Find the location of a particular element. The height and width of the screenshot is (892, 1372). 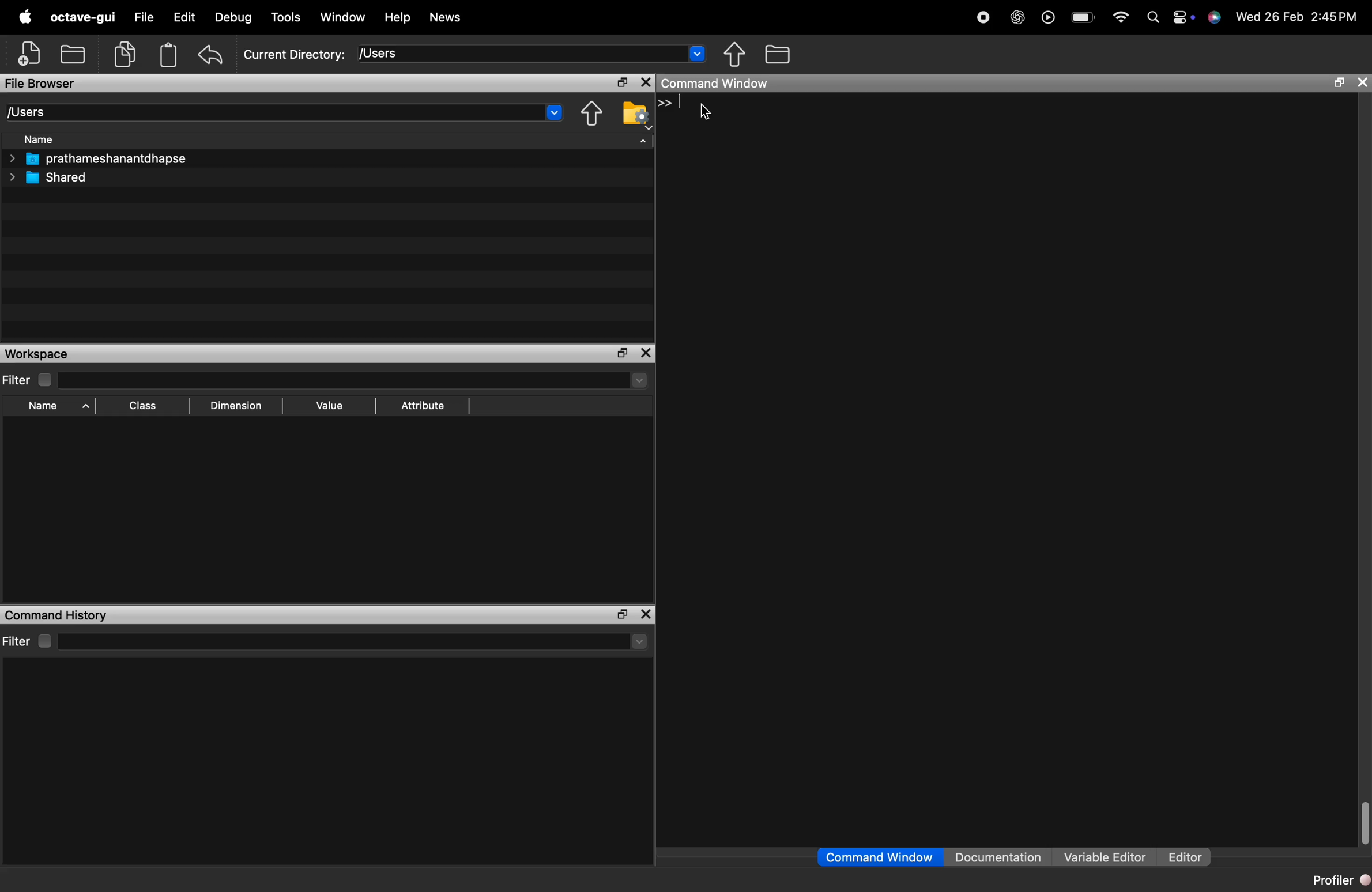

maximise is located at coordinates (621, 614).